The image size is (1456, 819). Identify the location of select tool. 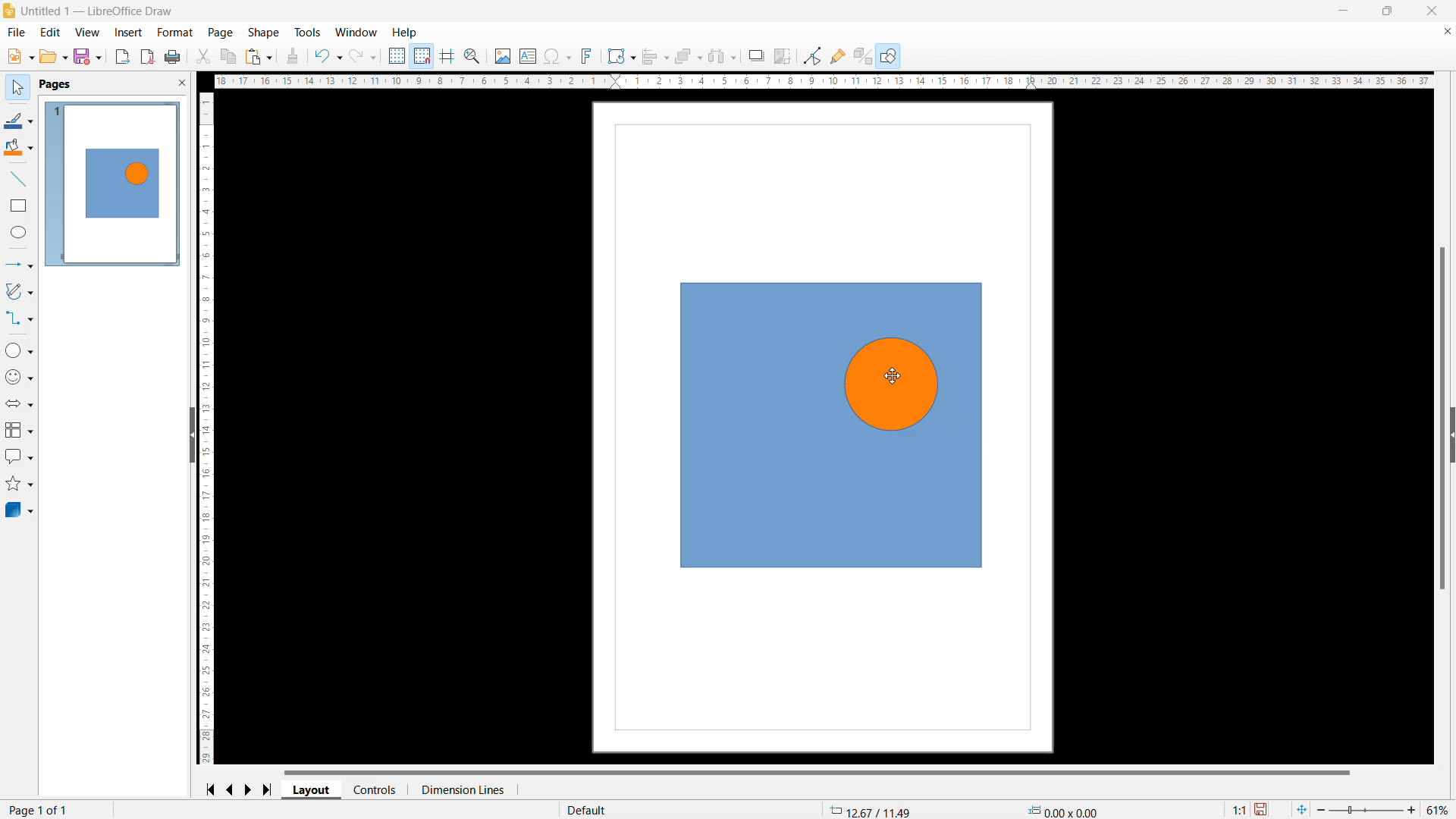
(17, 86).